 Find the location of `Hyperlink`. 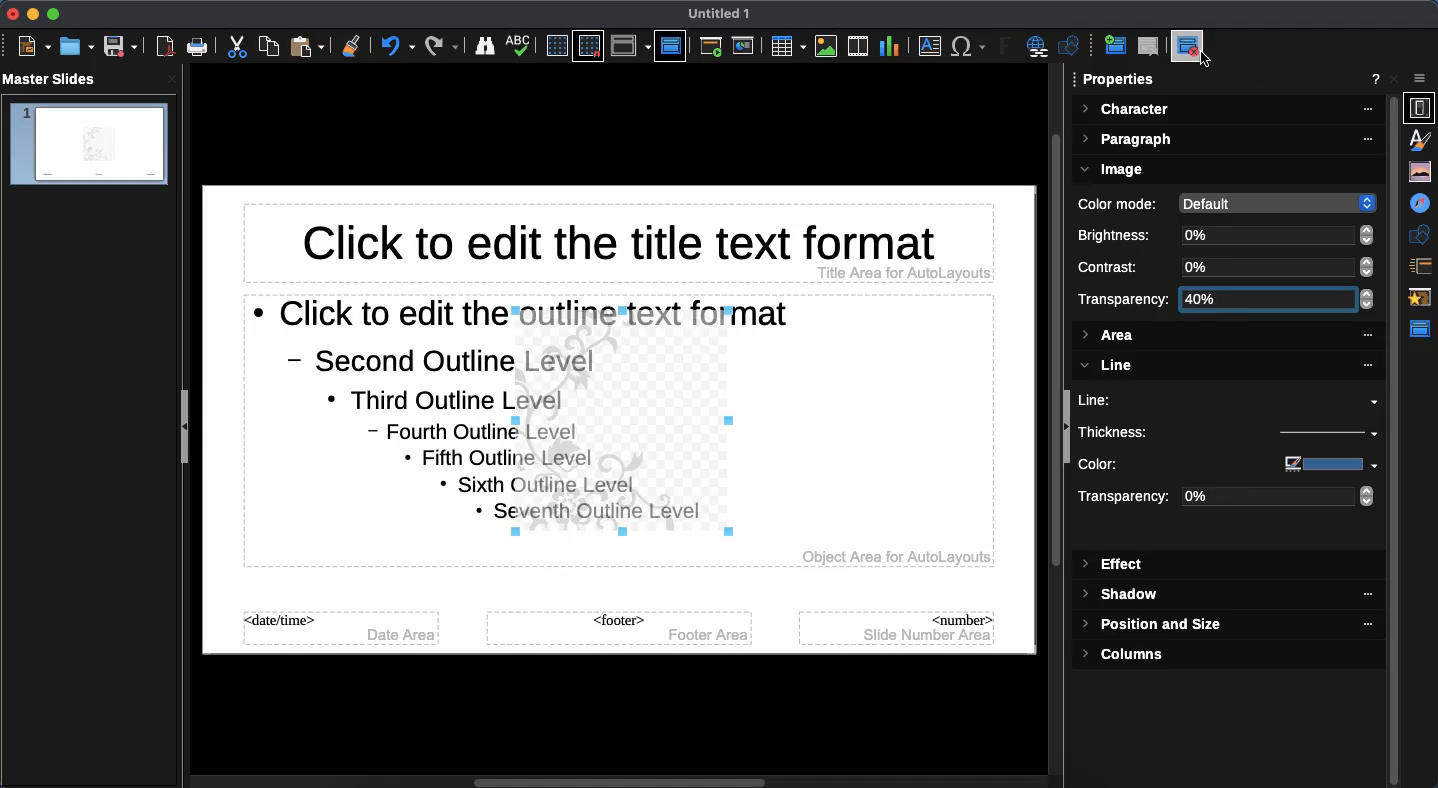

Hyperlink is located at coordinates (1040, 48).